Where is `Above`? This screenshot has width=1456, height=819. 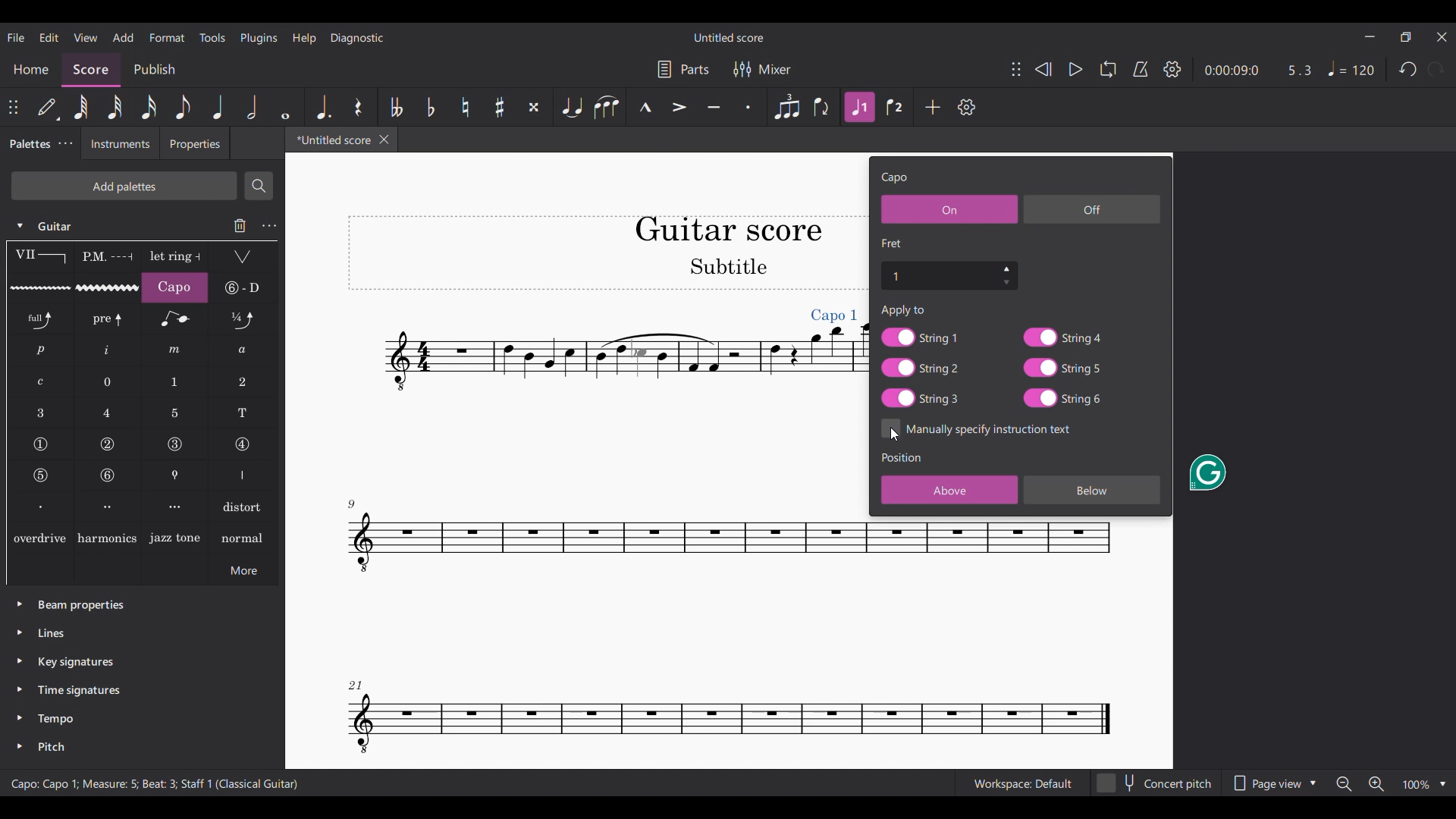 Above is located at coordinates (949, 490).